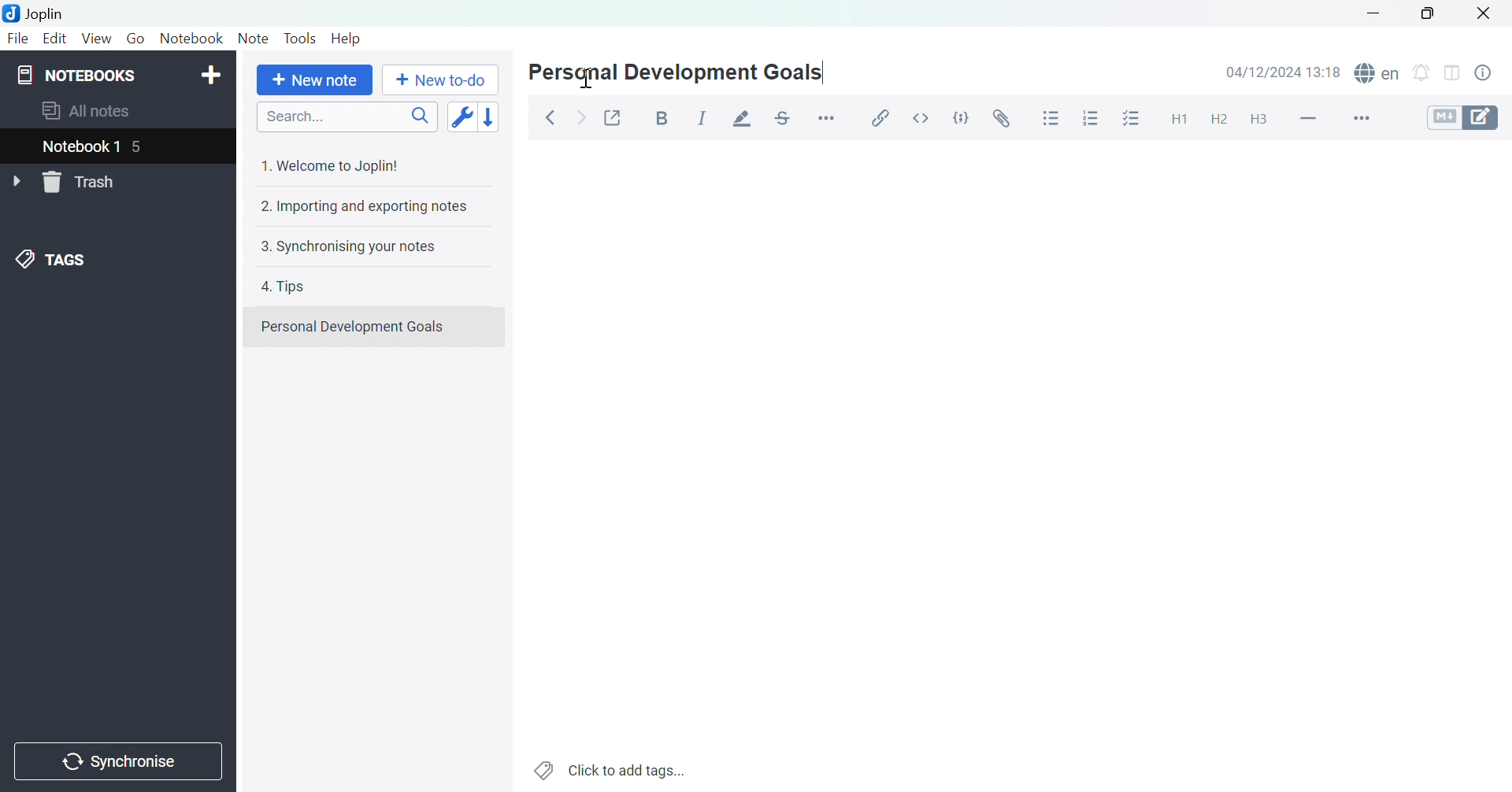 The width and height of the screenshot is (1512, 792). Describe the element at coordinates (610, 769) in the screenshot. I see `Click to add tags...` at that location.